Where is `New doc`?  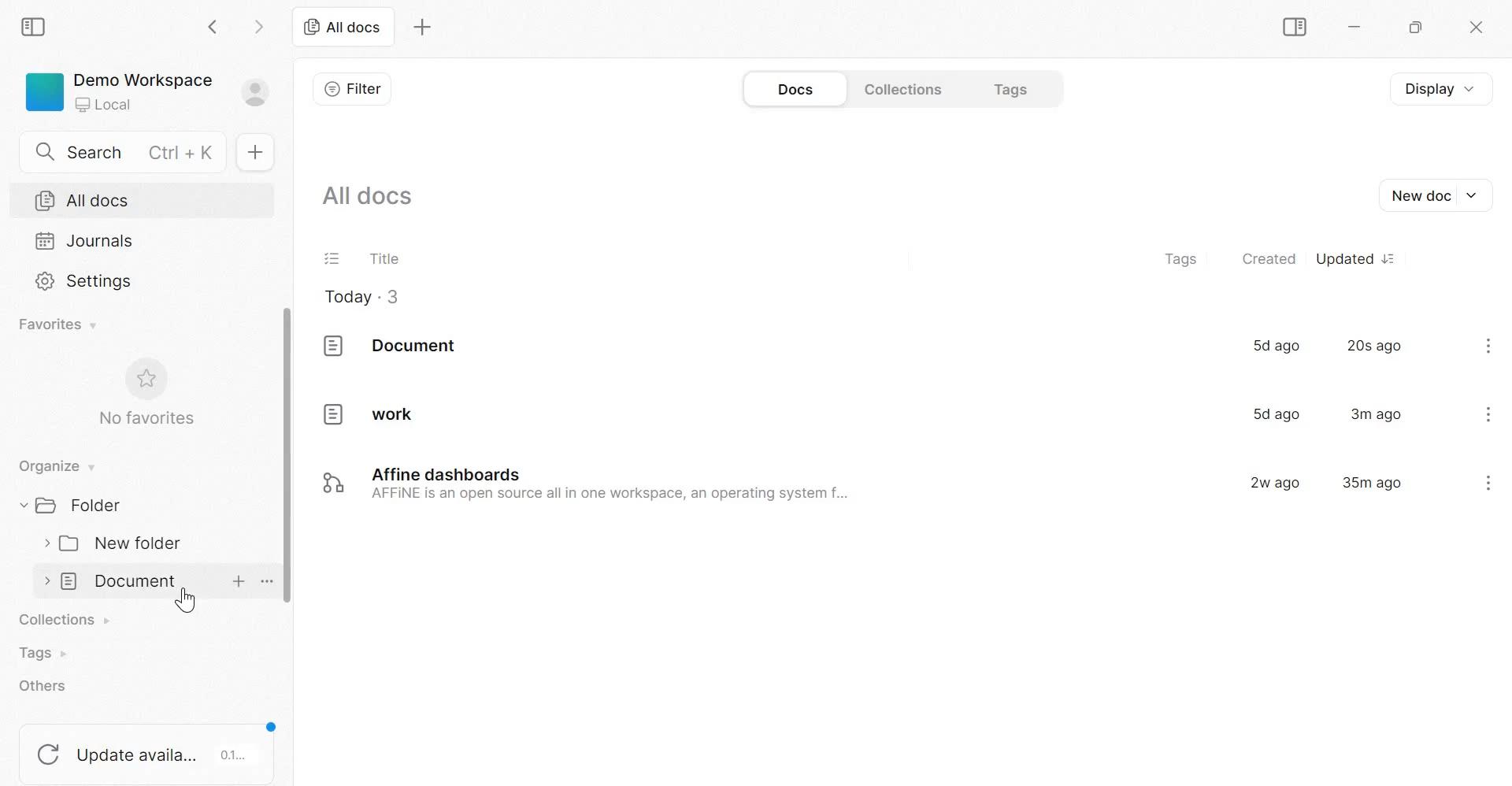
New doc is located at coordinates (252, 151).